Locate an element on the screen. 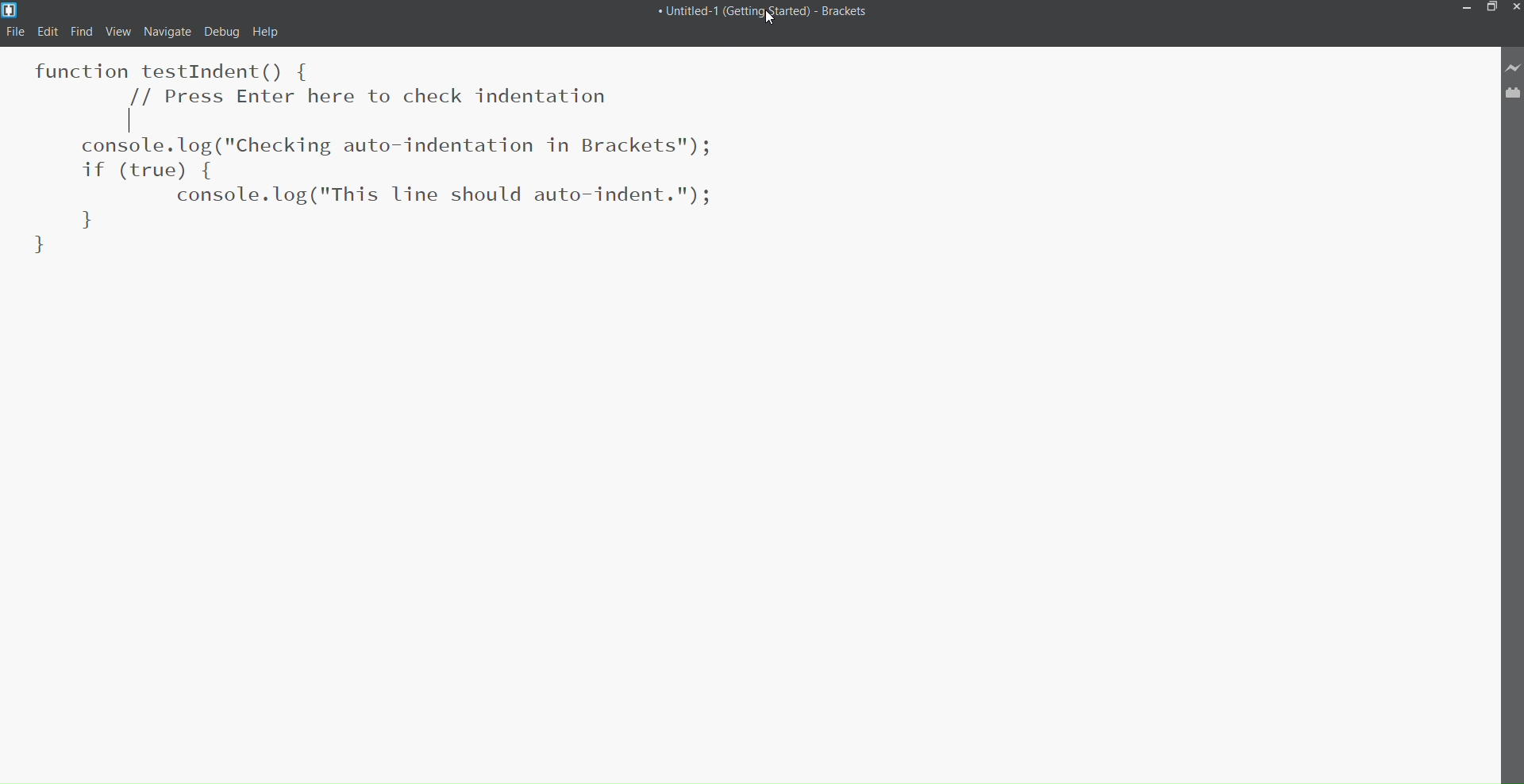 This screenshot has height=784, width=1524. File is located at coordinates (17, 33).